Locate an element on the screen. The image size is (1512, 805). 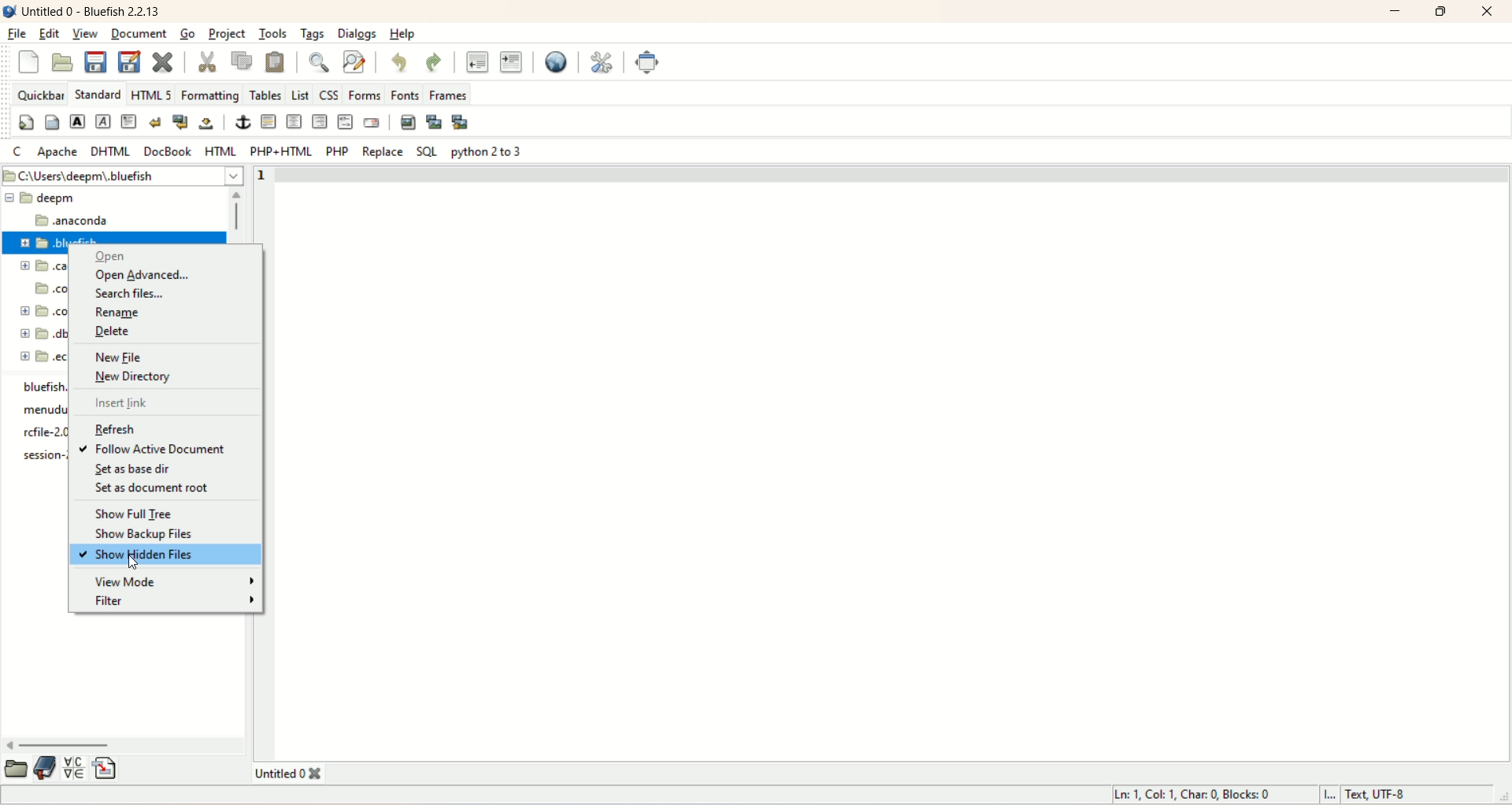
undo is located at coordinates (401, 63).